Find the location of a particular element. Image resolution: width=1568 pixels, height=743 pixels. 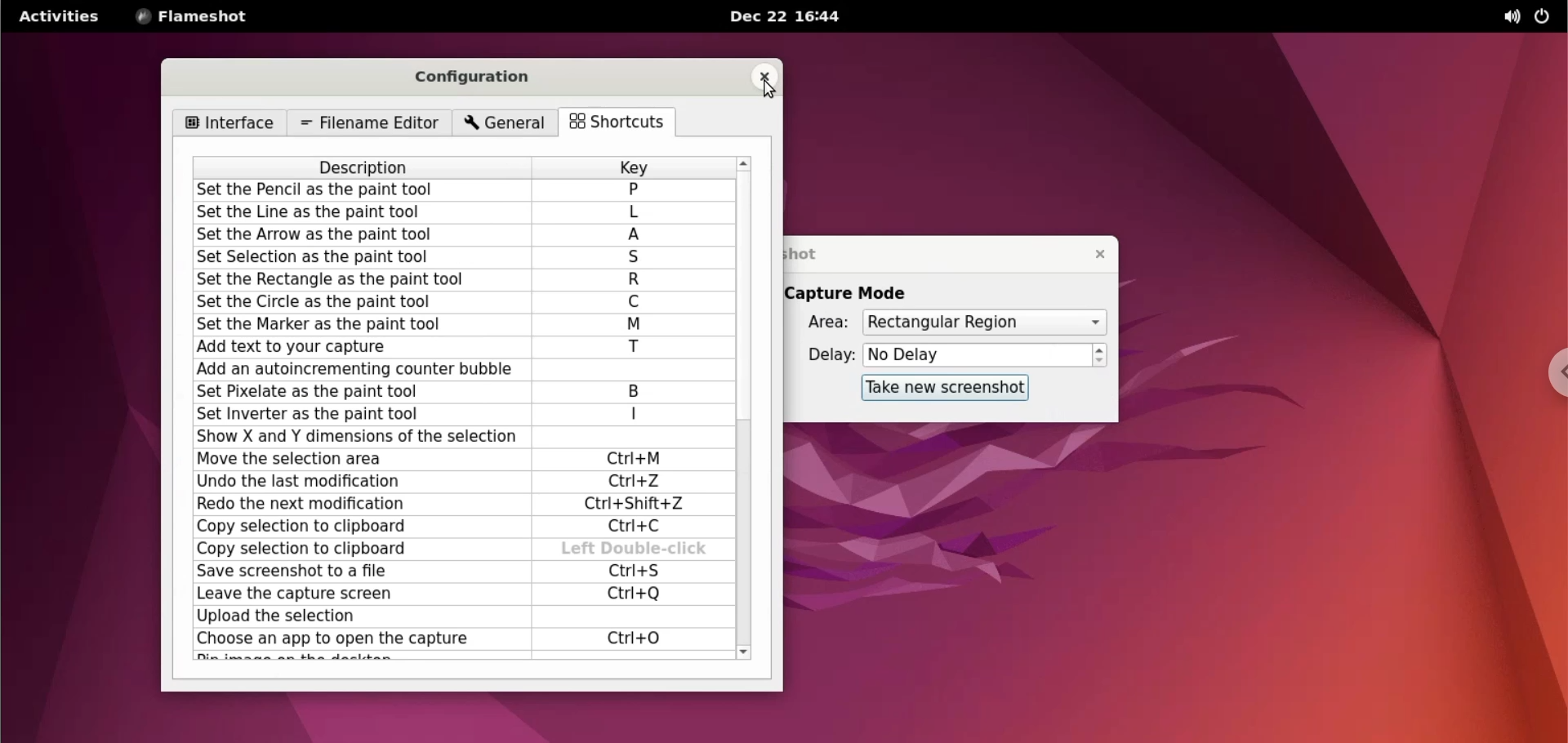

P is located at coordinates (633, 189).